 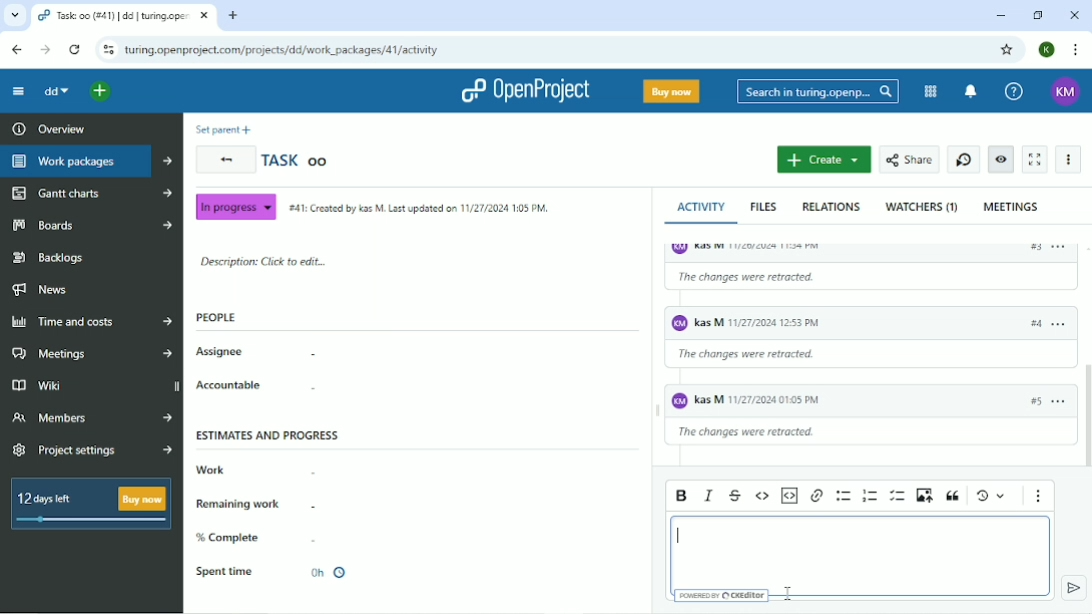 What do you see at coordinates (16, 50) in the screenshot?
I see `Back` at bounding box center [16, 50].